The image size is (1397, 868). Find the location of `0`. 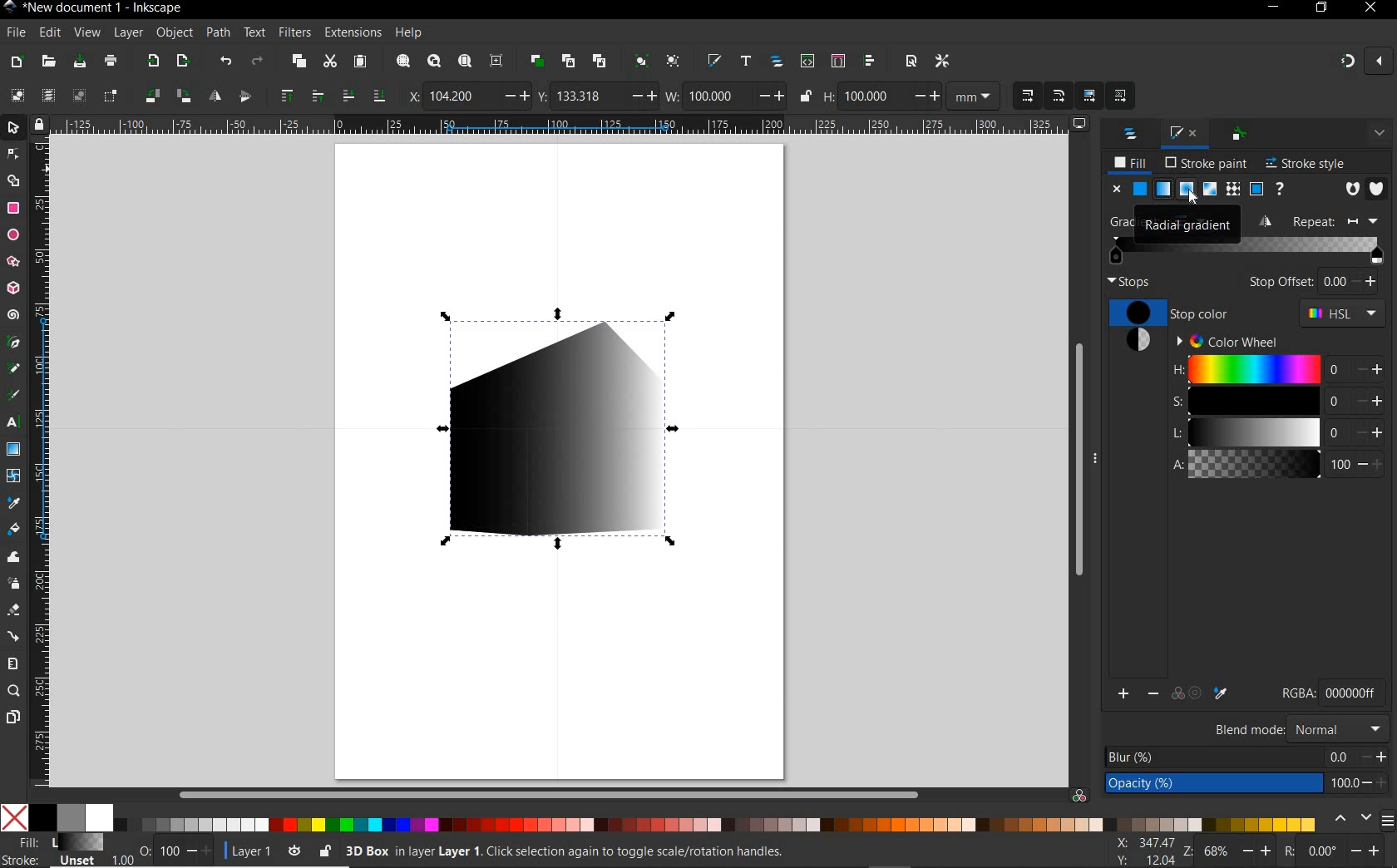

0 is located at coordinates (1335, 281).